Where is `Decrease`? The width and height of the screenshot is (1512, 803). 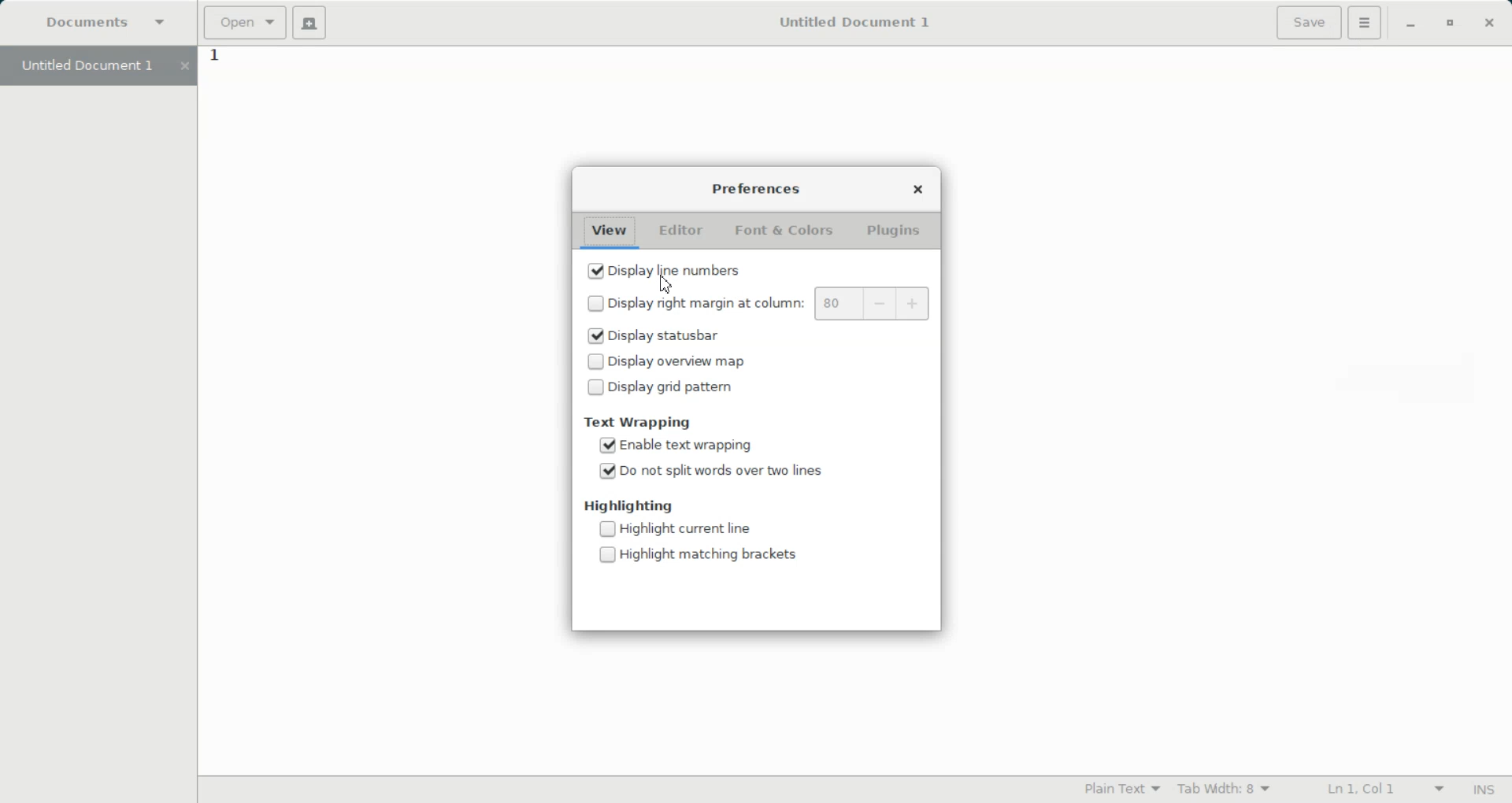 Decrease is located at coordinates (880, 303).